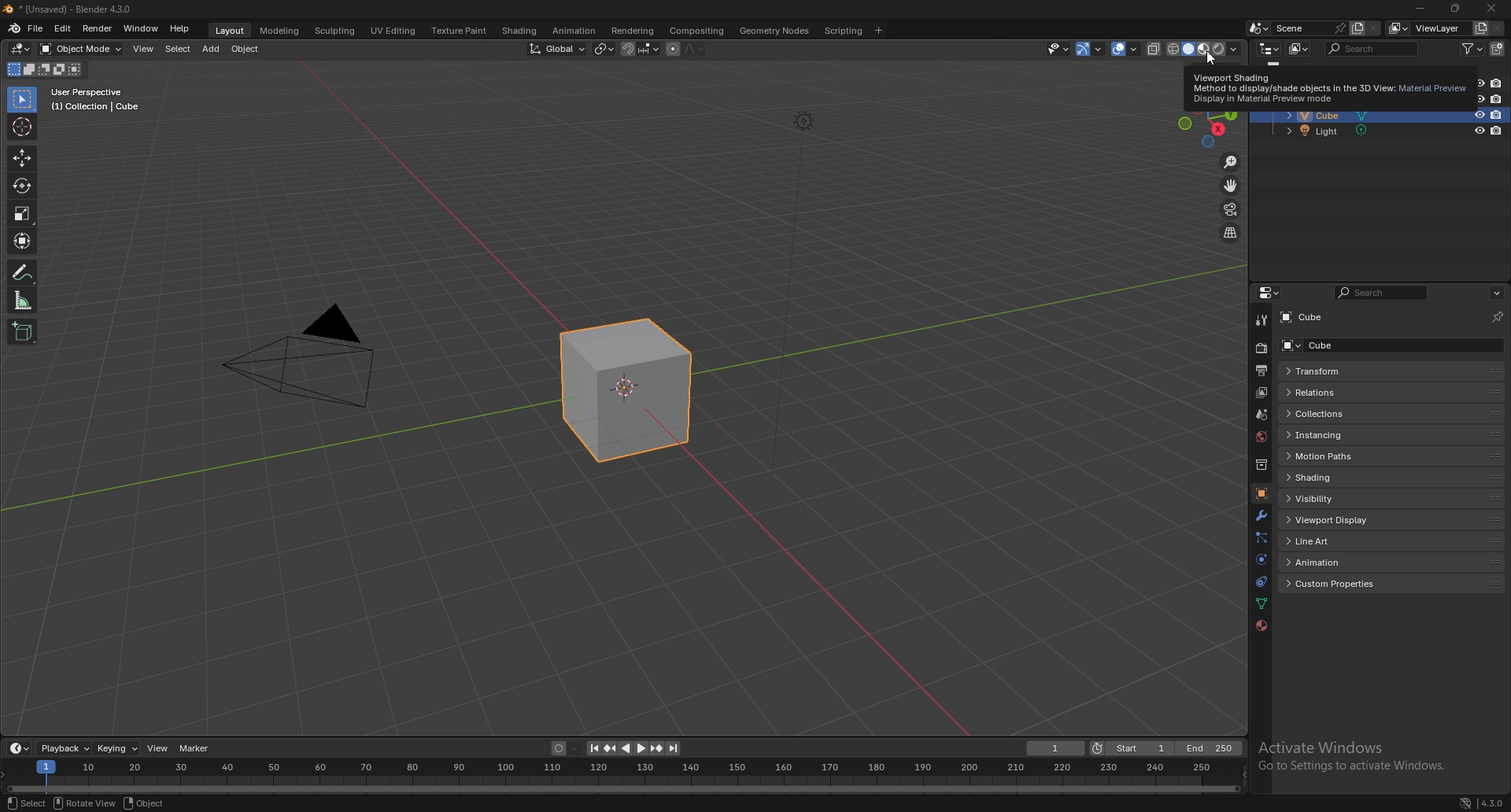 The width and height of the screenshot is (1511, 812). Describe the element at coordinates (1299, 48) in the screenshot. I see `display mode` at that location.